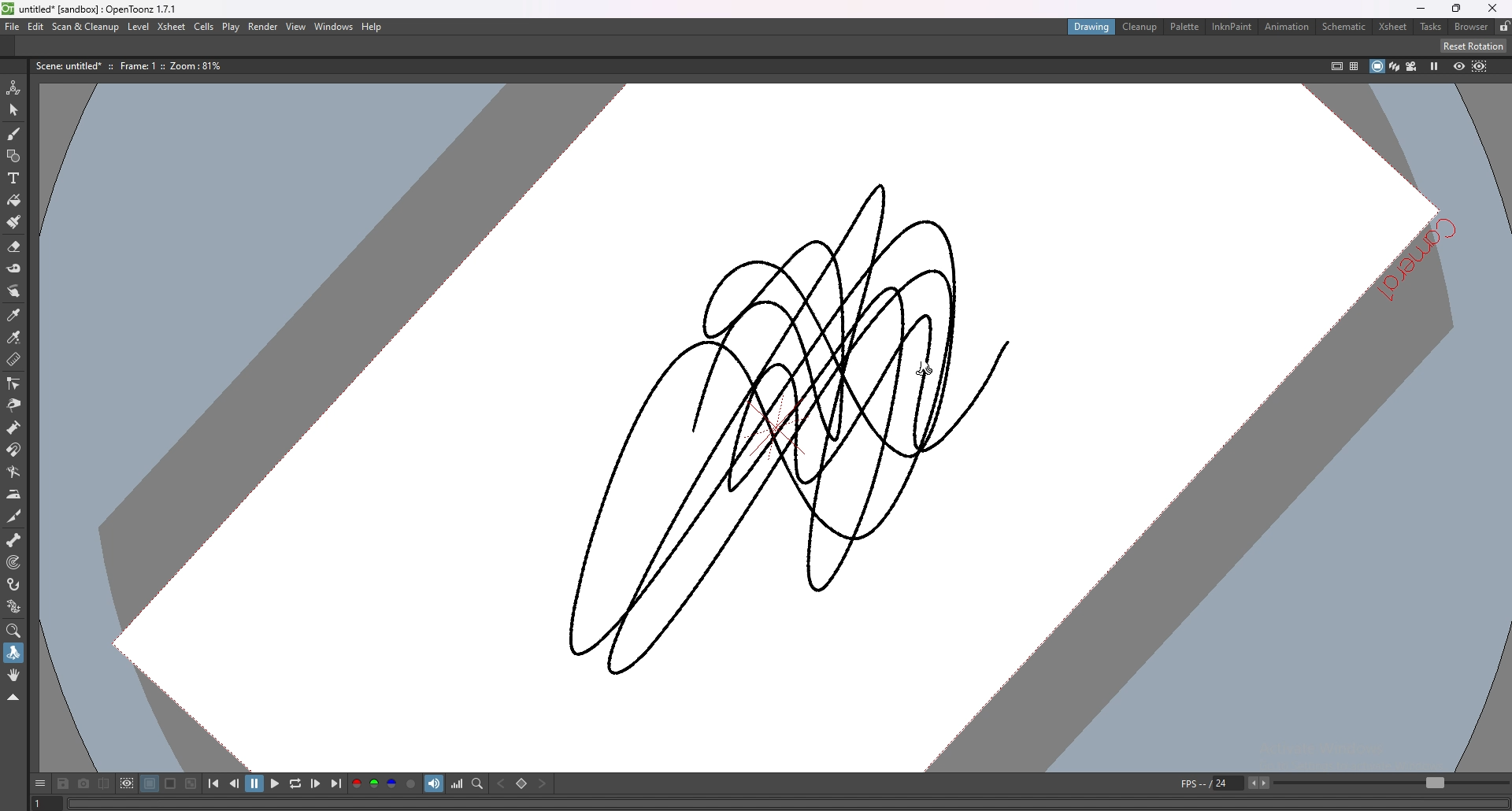  What do you see at coordinates (62, 783) in the screenshot?
I see `save` at bounding box center [62, 783].